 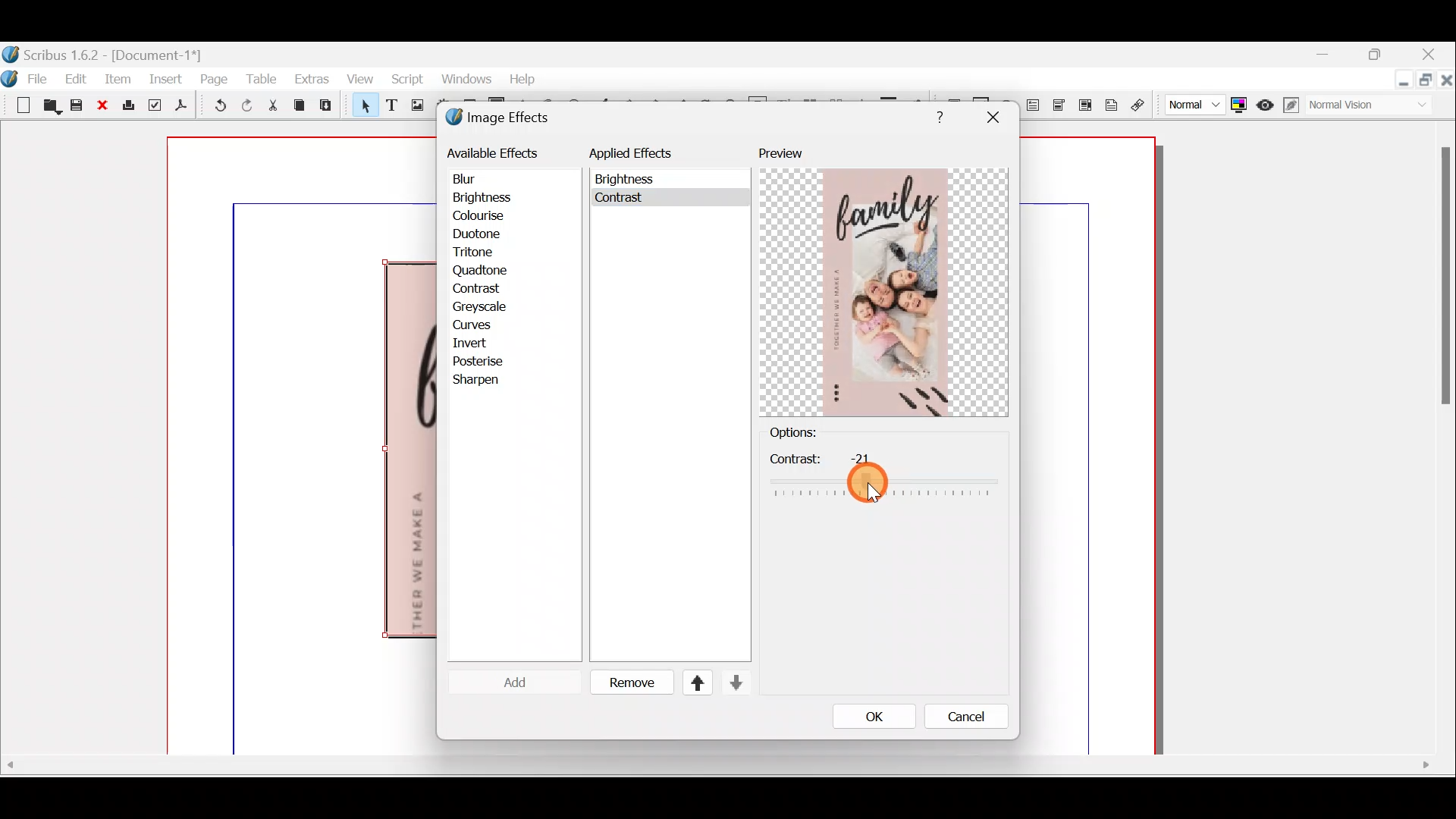 I want to click on Move down, so click(x=734, y=682).